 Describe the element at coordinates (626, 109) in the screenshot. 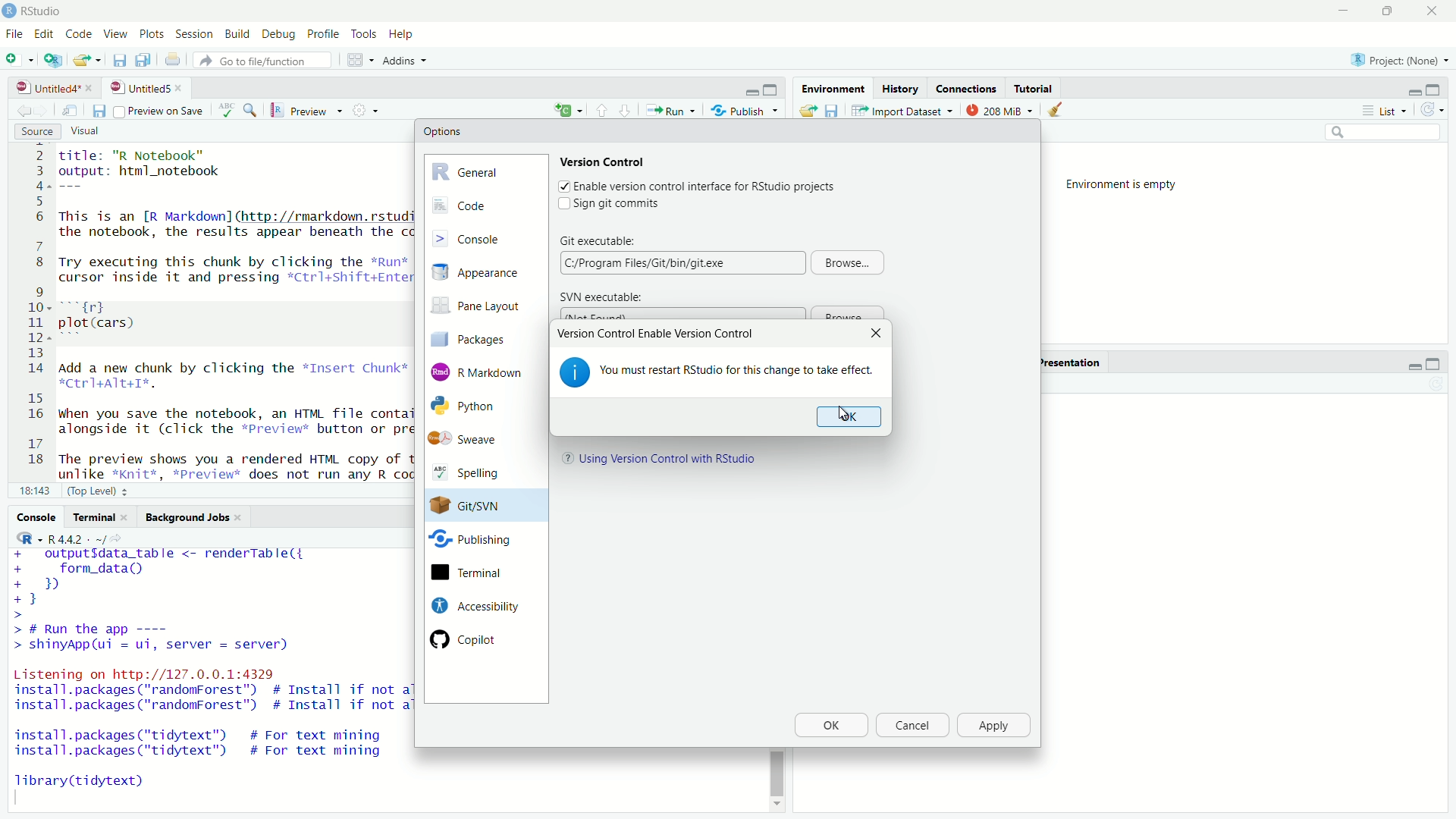

I see `up` at that location.